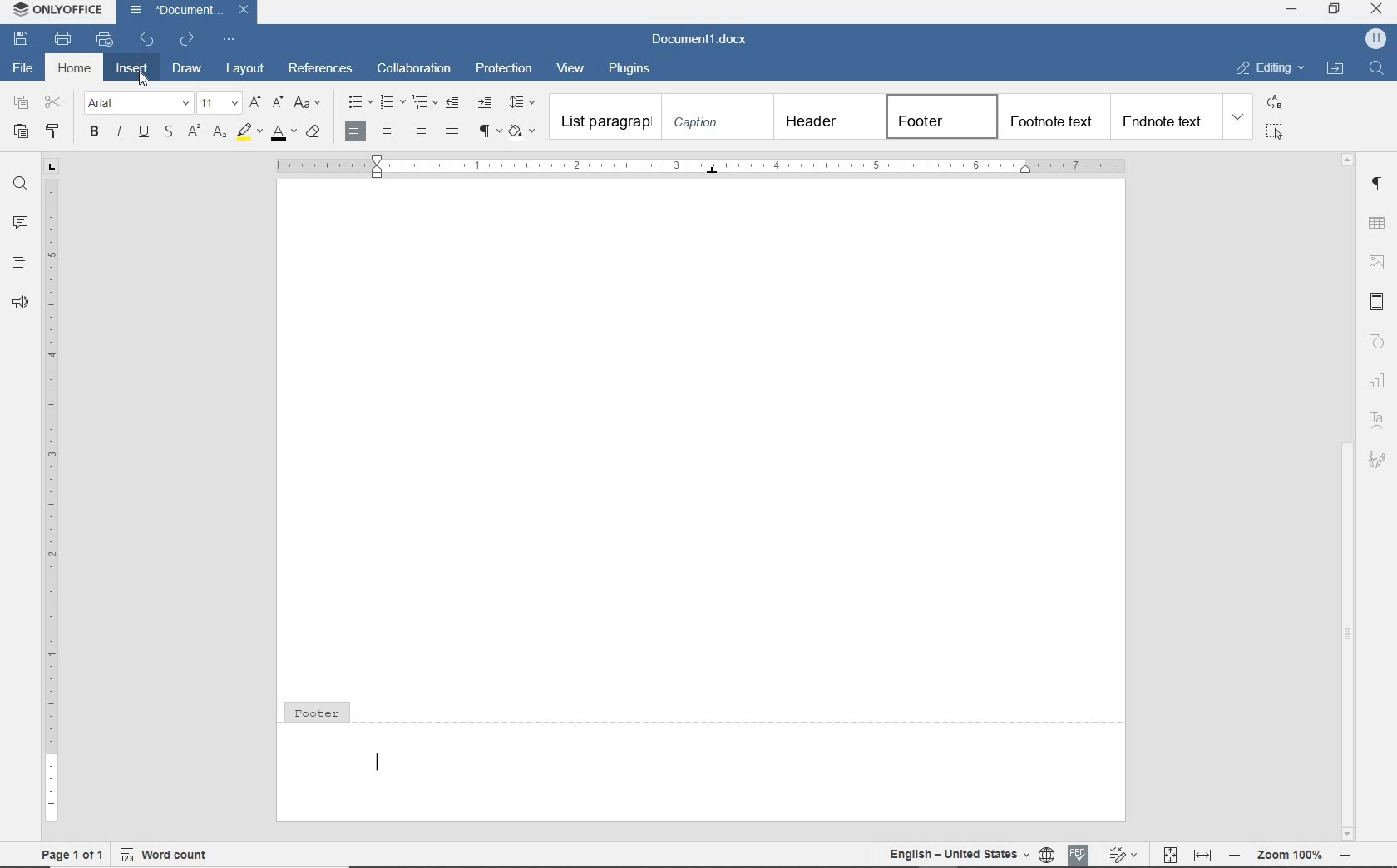 The image size is (1397, 868). What do you see at coordinates (52, 132) in the screenshot?
I see `COPY STYLE` at bounding box center [52, 132].